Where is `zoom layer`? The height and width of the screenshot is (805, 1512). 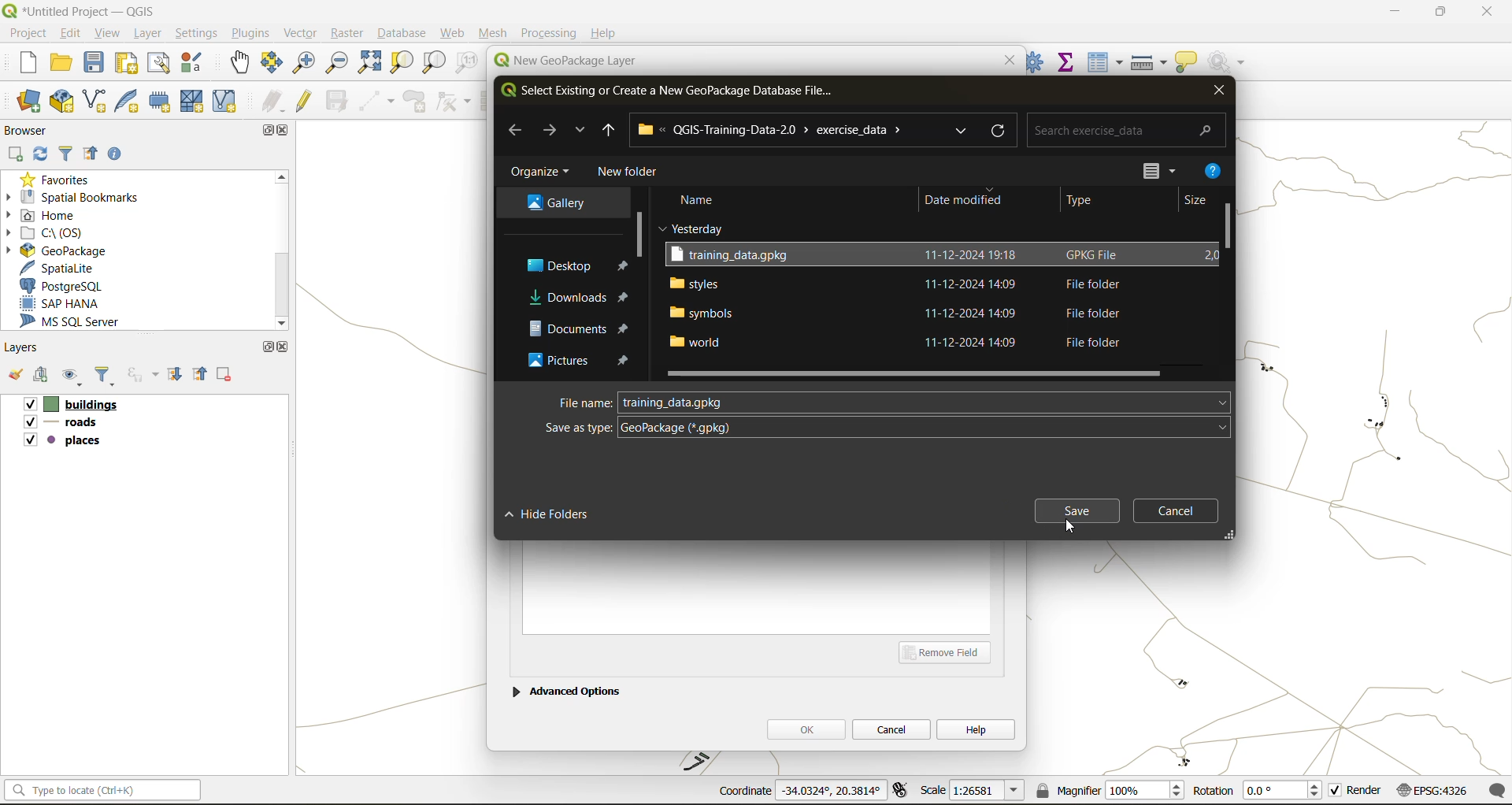
zoom layer is located at coordinates (434, 63).